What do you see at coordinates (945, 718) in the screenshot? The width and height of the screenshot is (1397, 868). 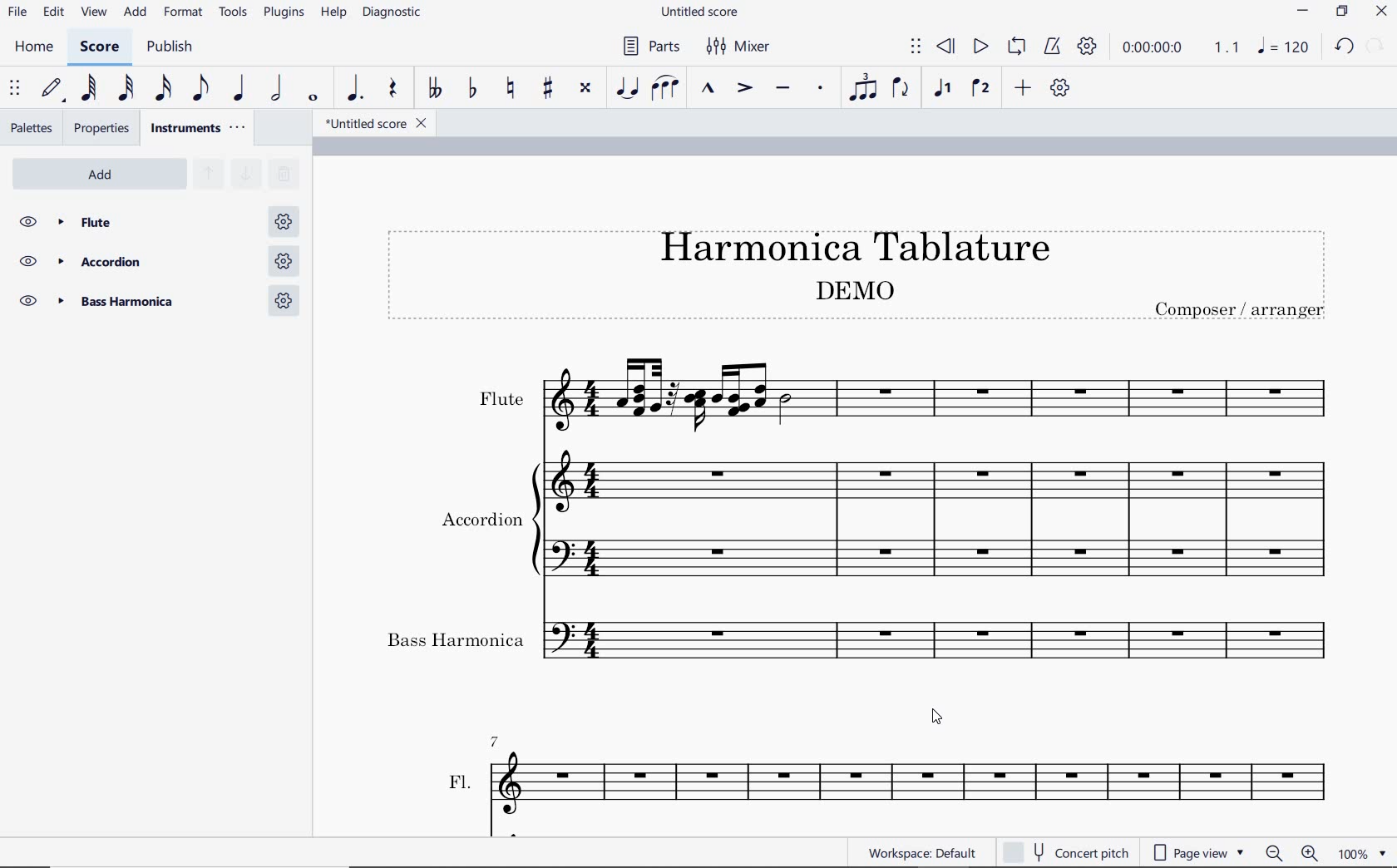 I see `cursor` at bounding box center [945, 718].